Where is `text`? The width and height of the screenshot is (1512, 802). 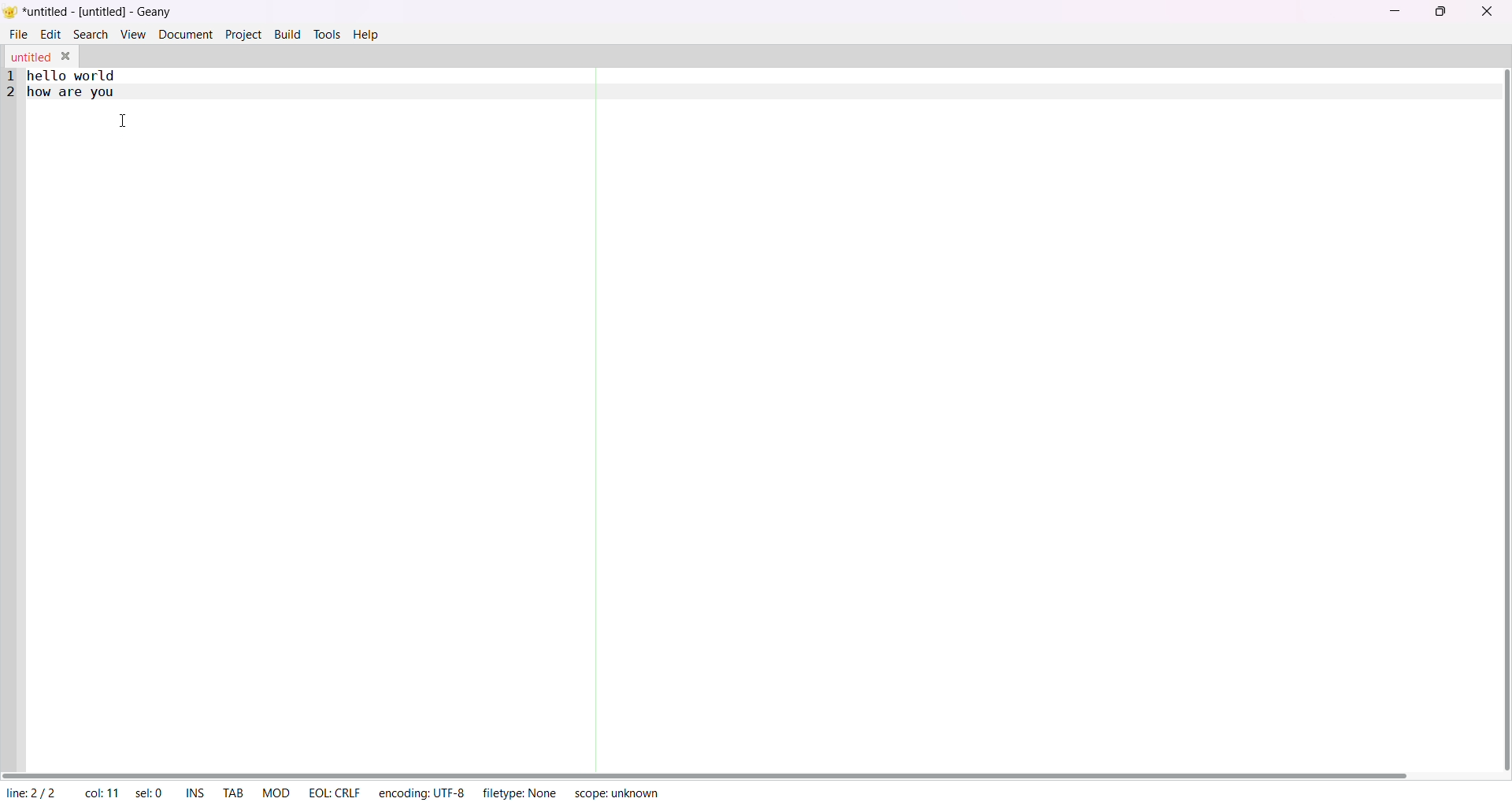
text is located at coordinates (67, 86).